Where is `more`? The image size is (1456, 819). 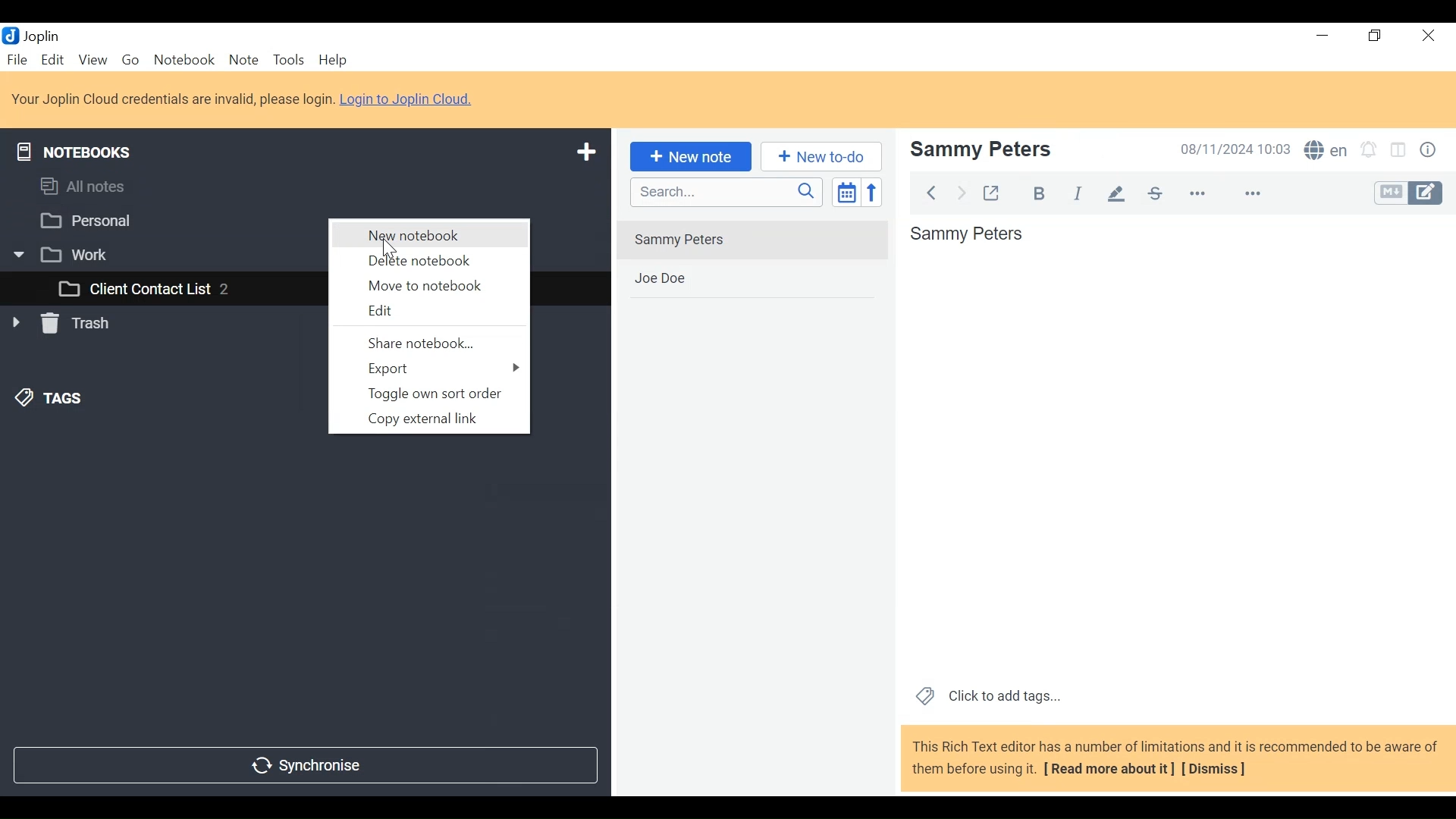
more is located at coordinates (1225, 191).